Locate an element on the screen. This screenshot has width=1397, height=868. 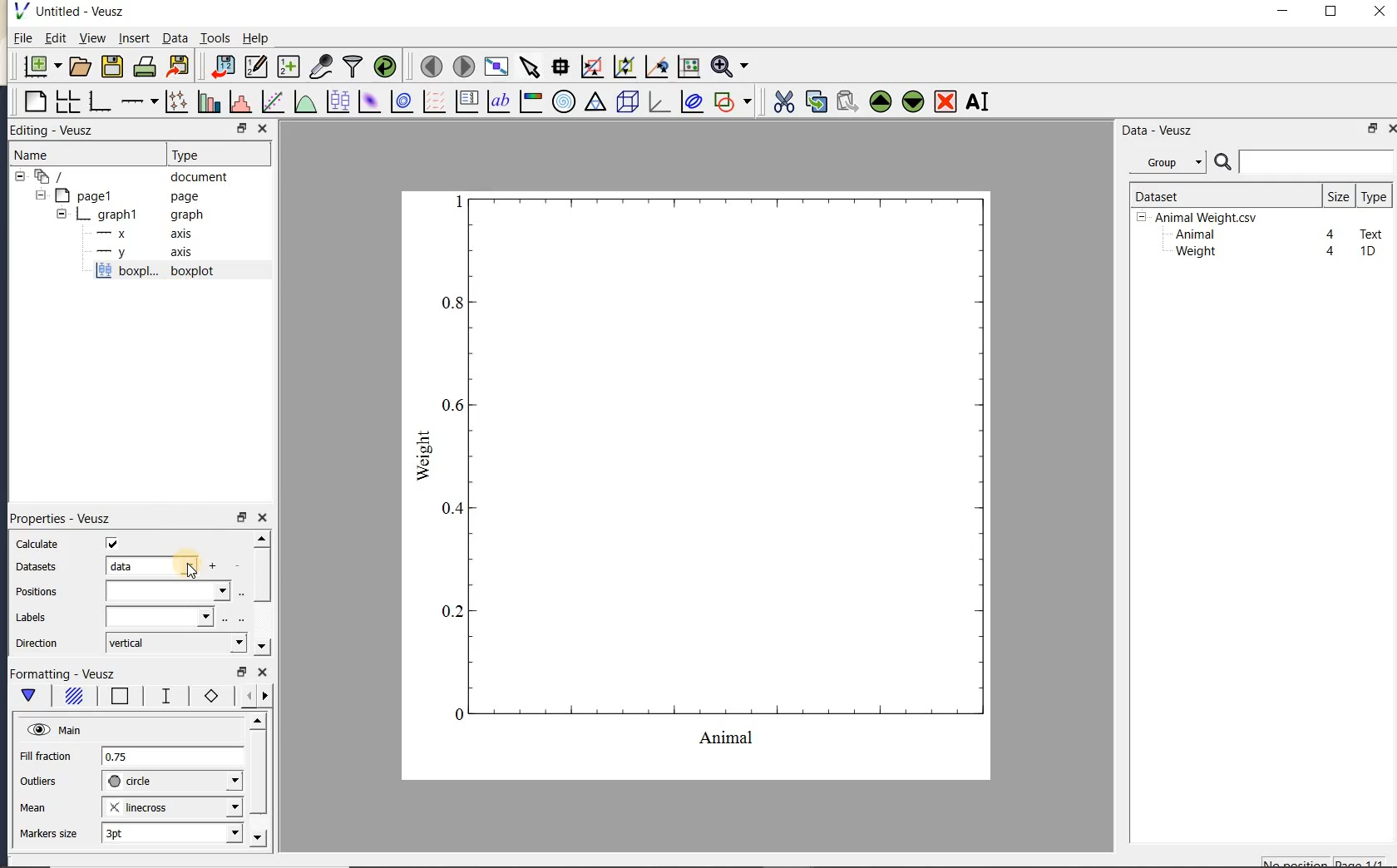
cut the selected widget is located at coordinates (782, 102).